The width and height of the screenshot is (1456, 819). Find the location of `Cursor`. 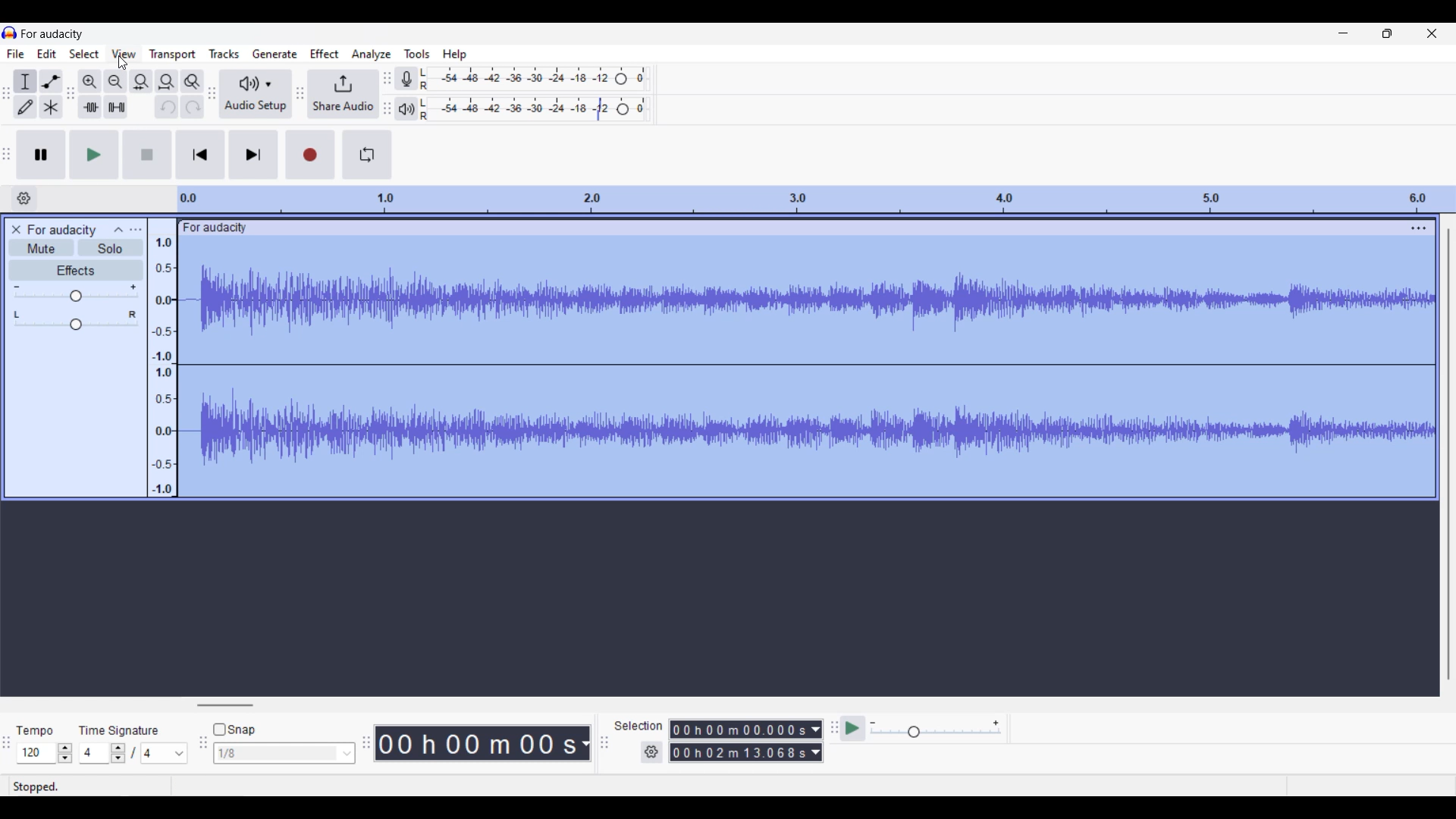

Cursor is located at coordinates (123, 63).